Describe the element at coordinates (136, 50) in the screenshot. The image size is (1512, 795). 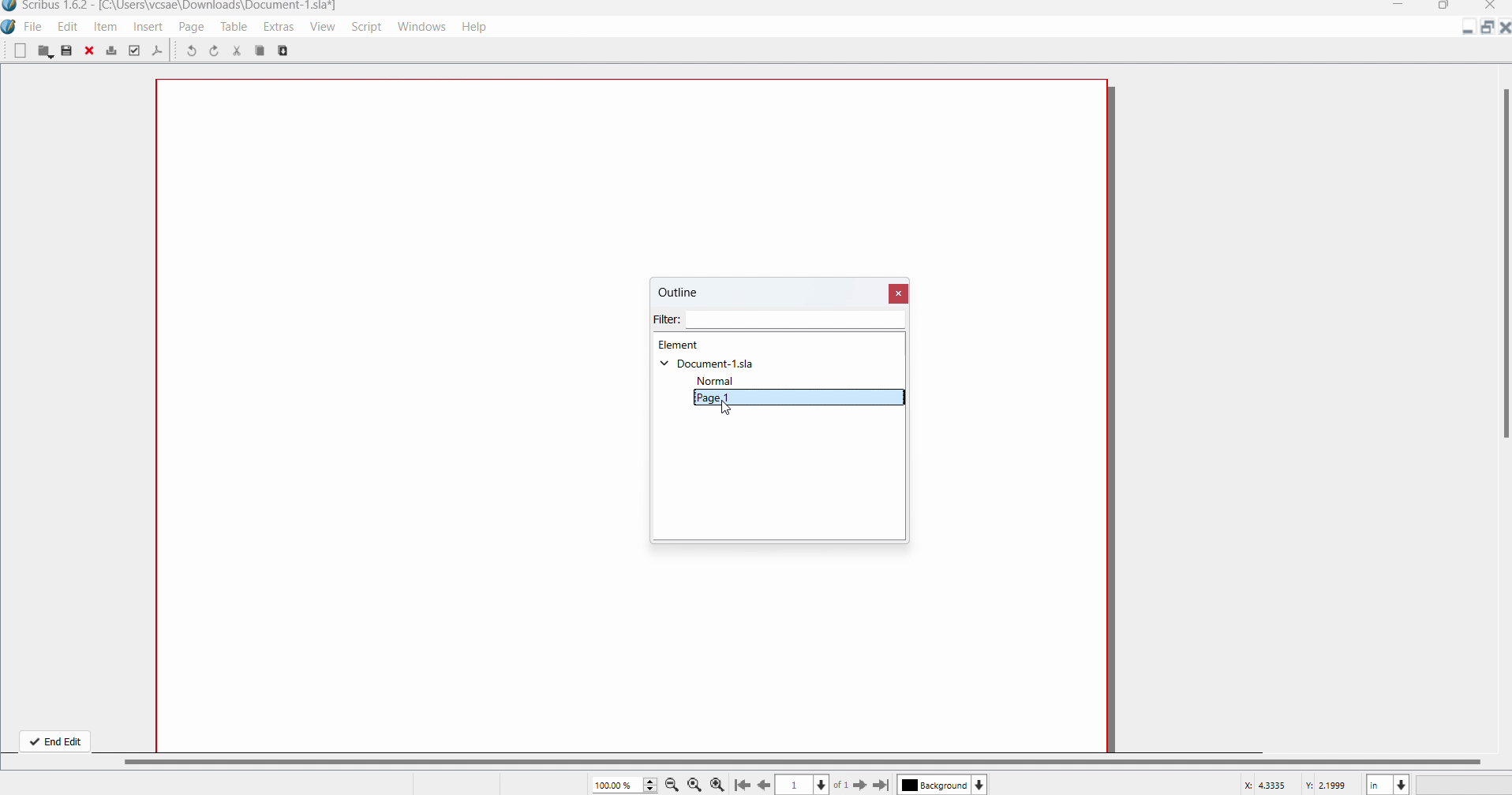
I see `` at that location.